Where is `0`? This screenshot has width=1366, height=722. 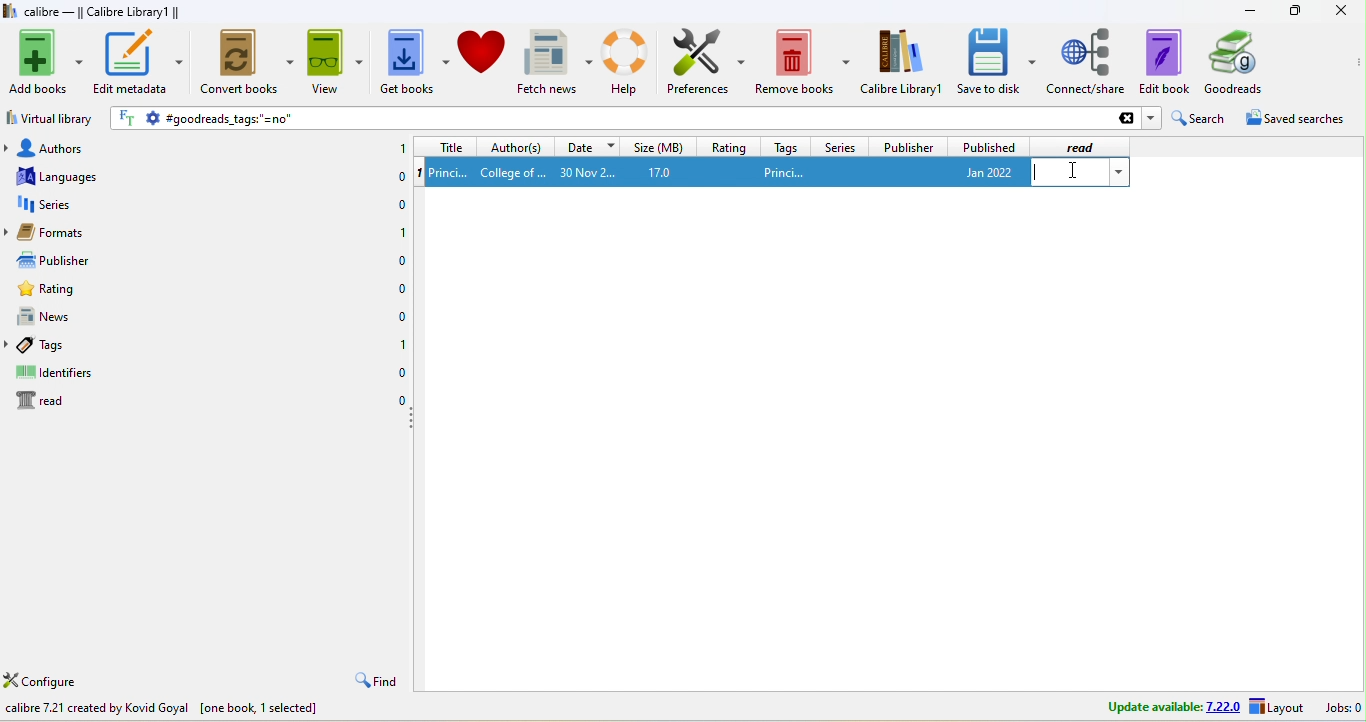 0 is located at coordinates (400, 289).